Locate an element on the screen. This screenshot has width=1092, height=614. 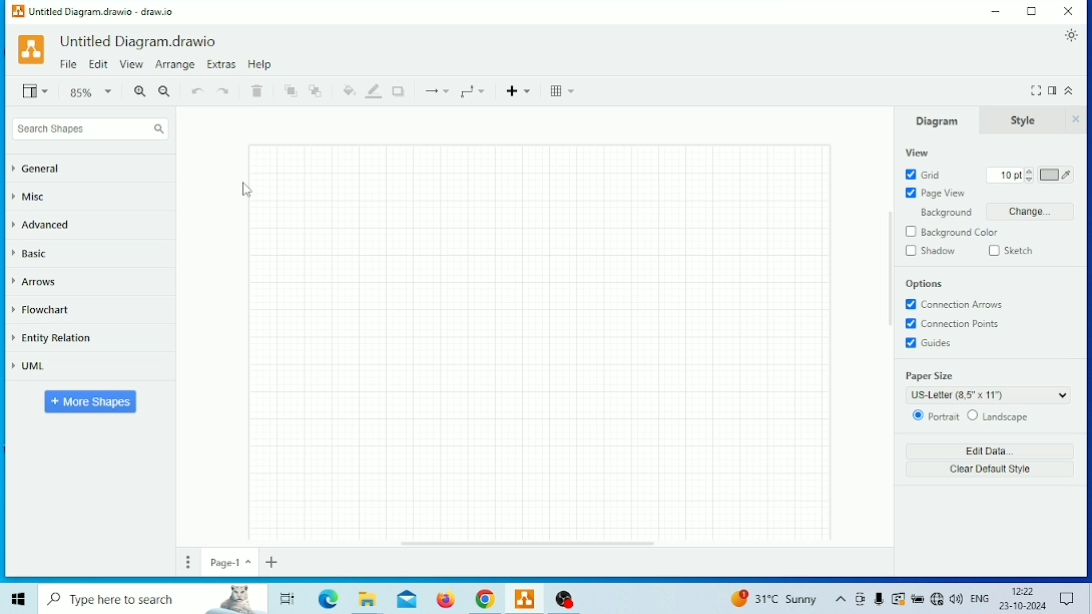
Zoomed Out is located at coordinates (92, 90).